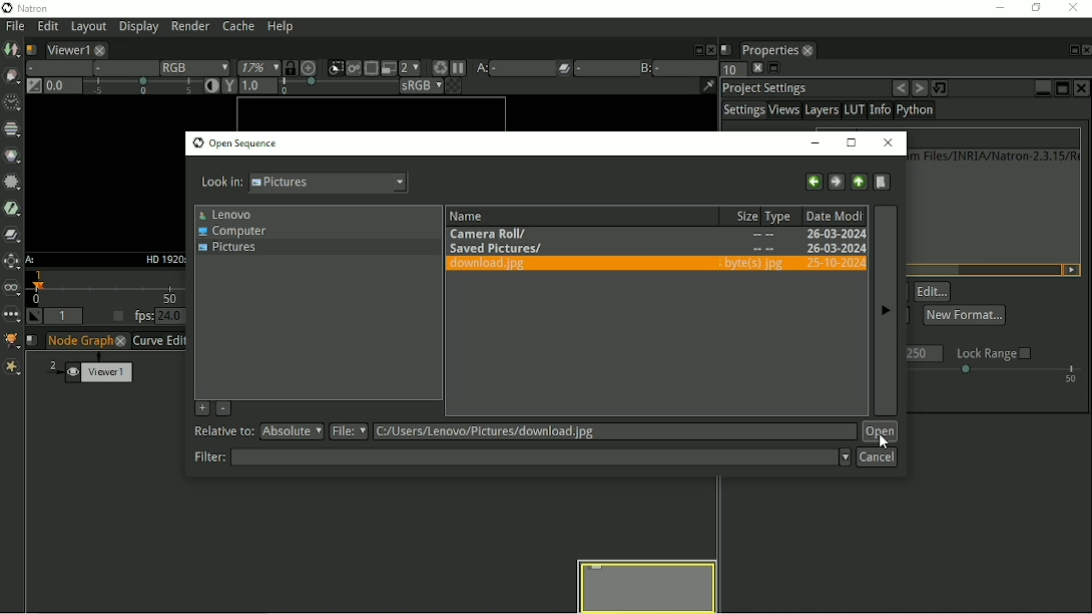  I want to click on Remove from favorites, so click(224, 410).